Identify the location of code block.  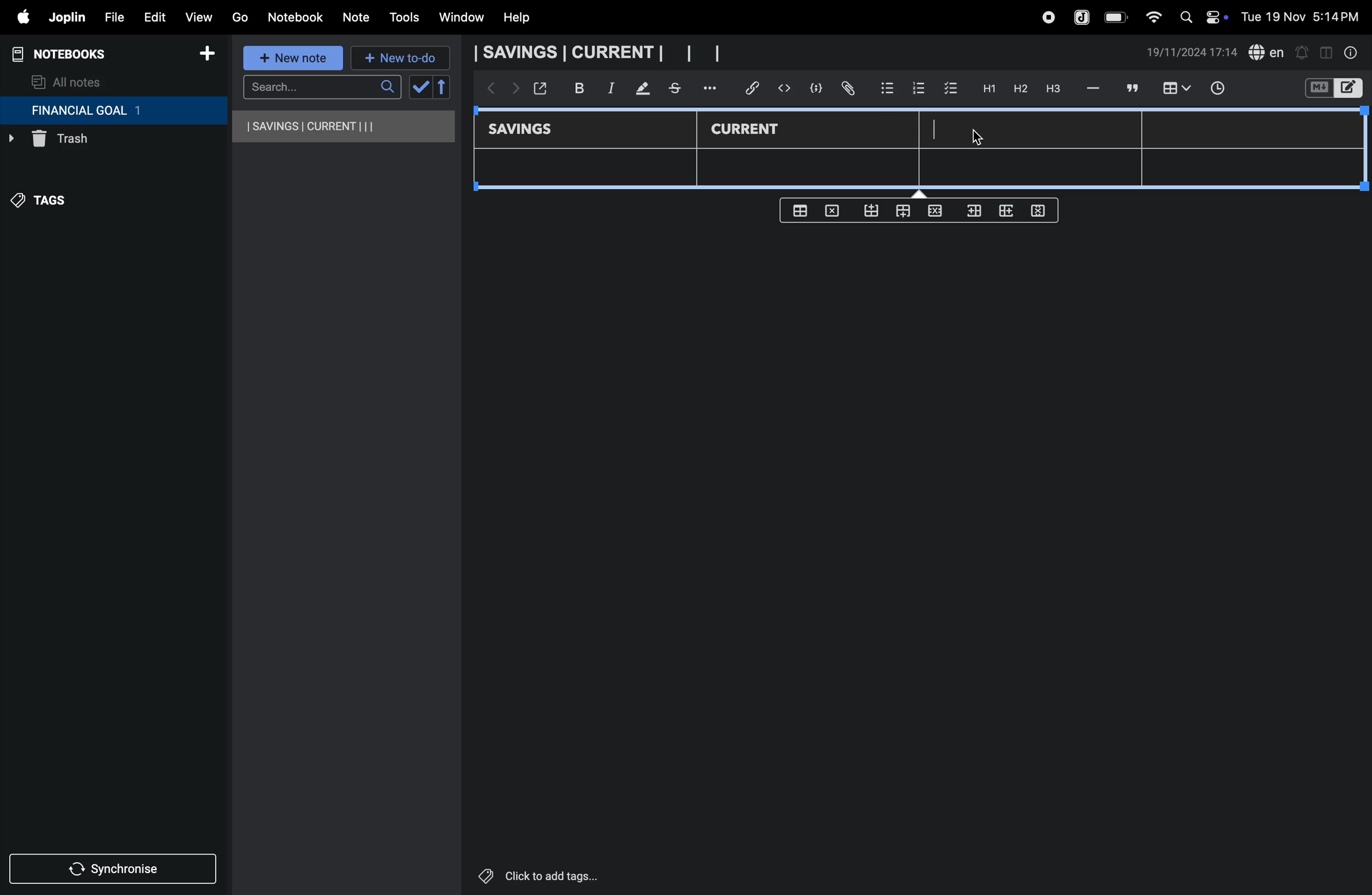
(812, 88).